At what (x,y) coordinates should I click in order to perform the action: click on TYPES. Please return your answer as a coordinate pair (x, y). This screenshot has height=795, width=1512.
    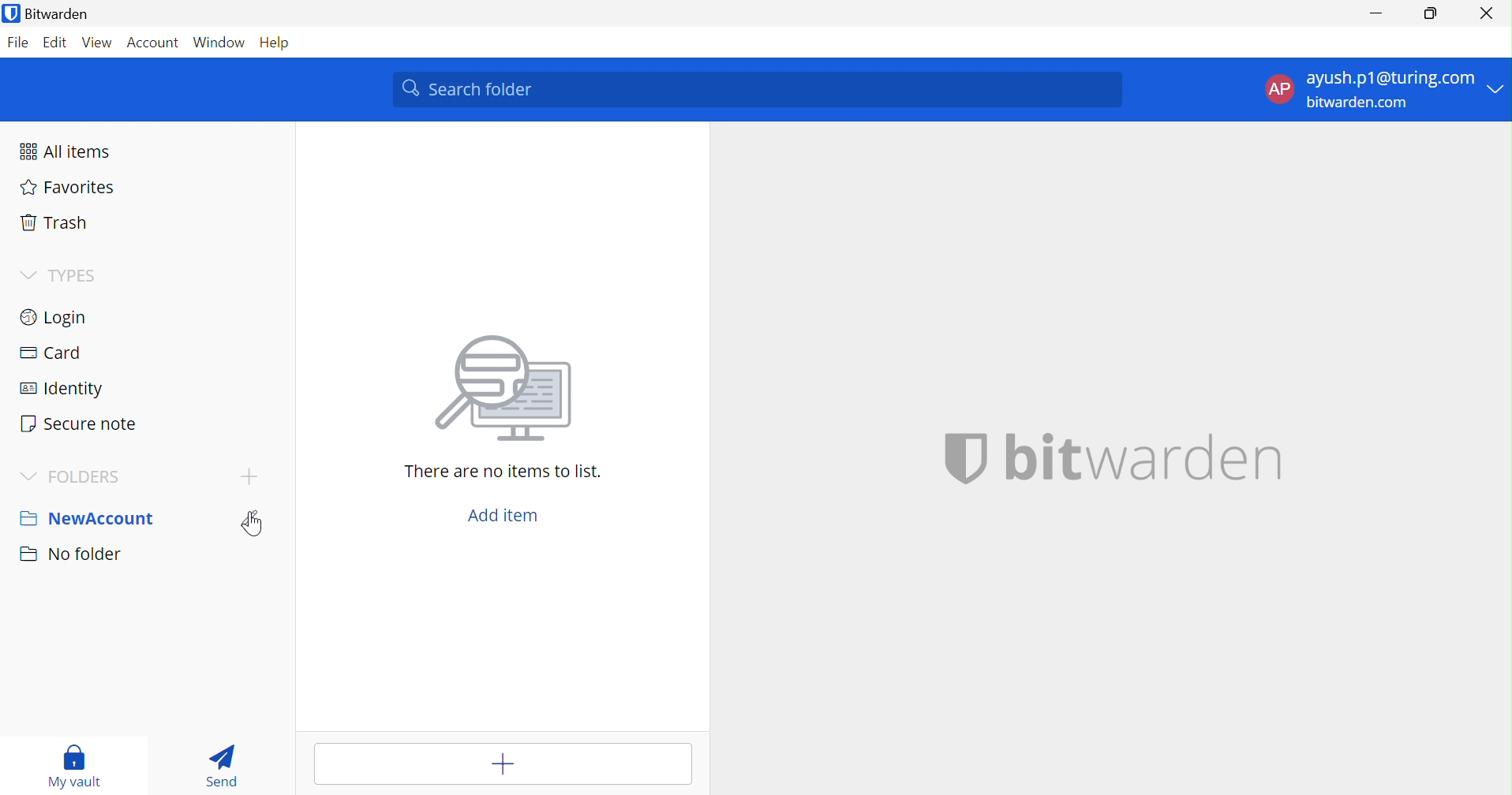
    Looking at the image, I should click on (74, 274).